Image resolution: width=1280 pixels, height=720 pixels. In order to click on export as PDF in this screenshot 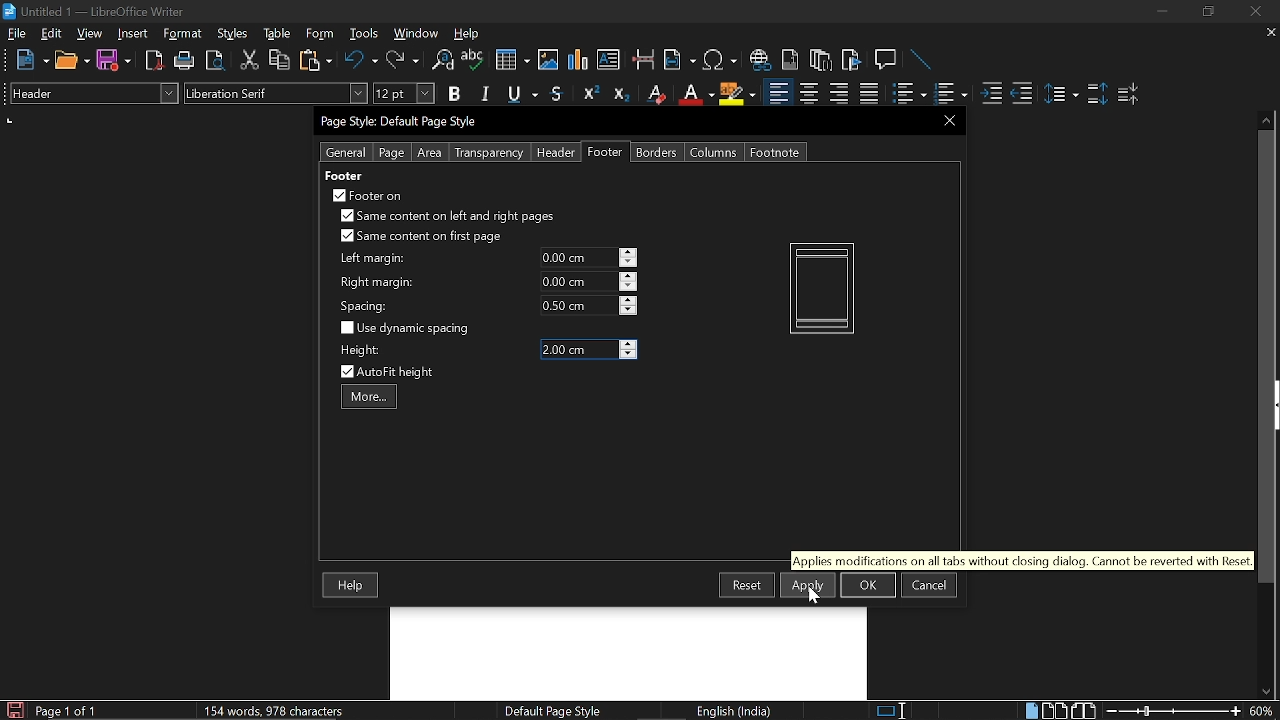, I will do `click(155, 62)`.